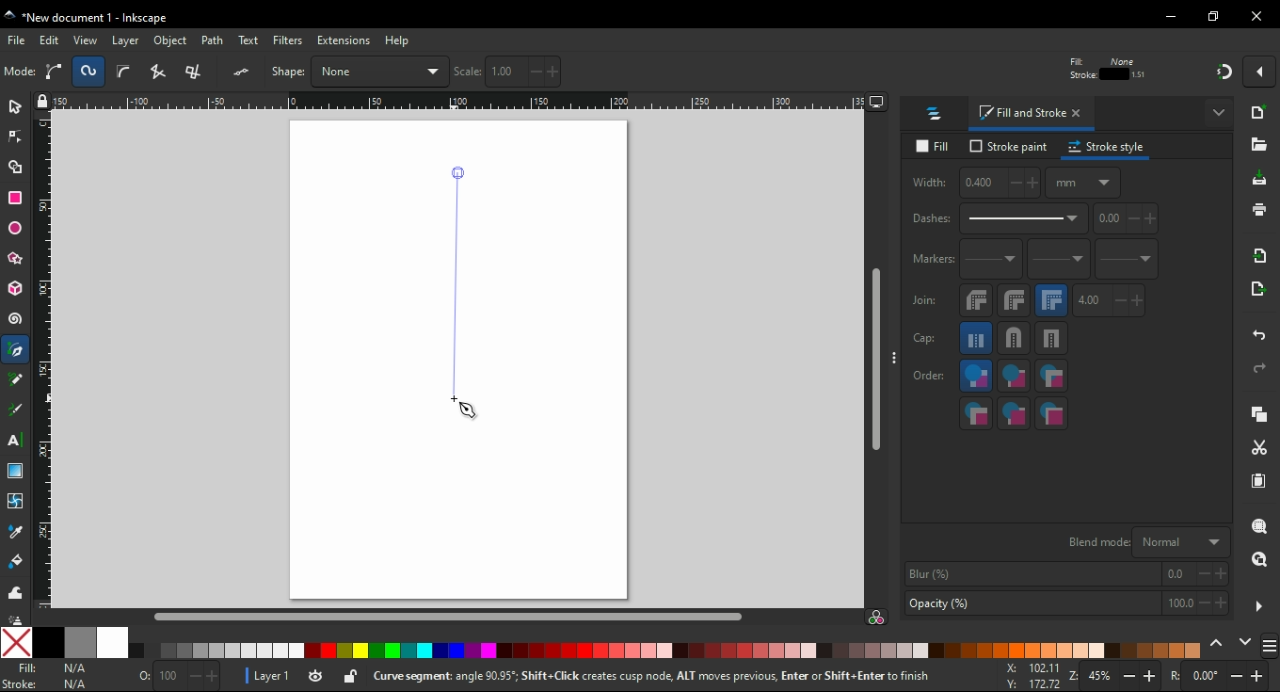 The height and width of the screenshot is (692, 1280). Describe the element at coordinates (1142, 72) in the screenshot. I see `move gradients along with other objects` at that location.